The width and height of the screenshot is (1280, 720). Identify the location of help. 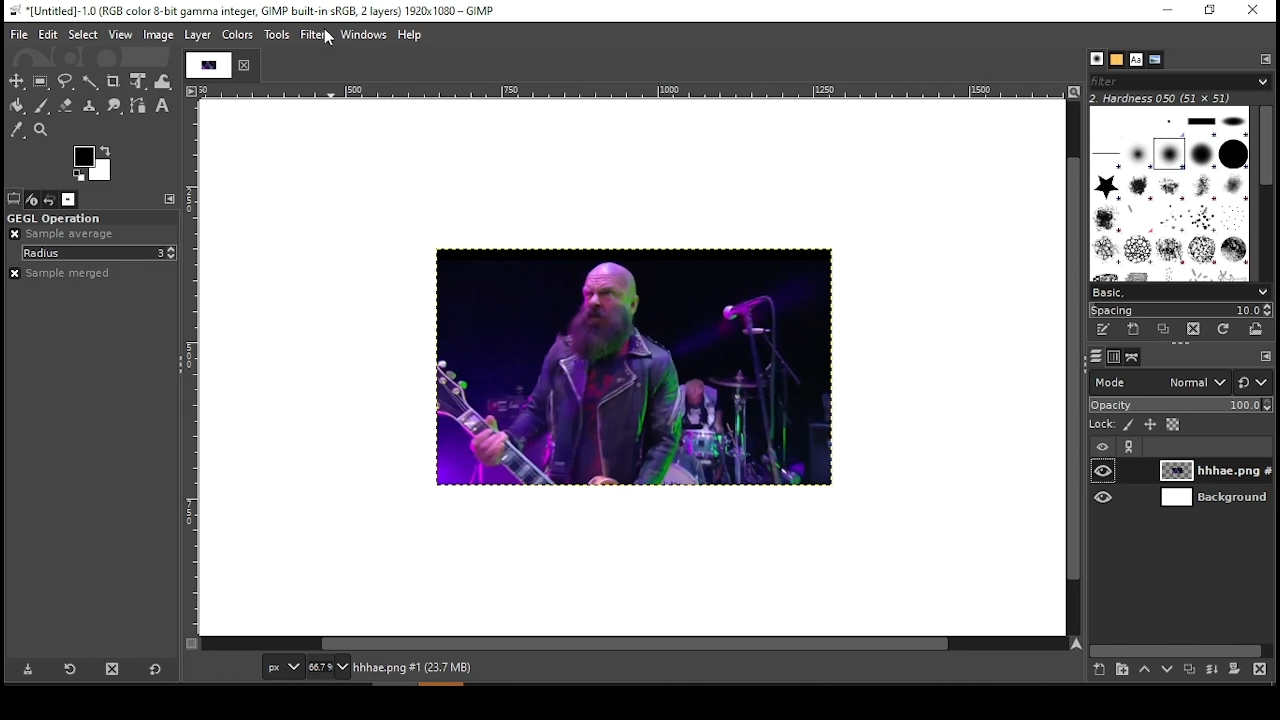
(412, 35).